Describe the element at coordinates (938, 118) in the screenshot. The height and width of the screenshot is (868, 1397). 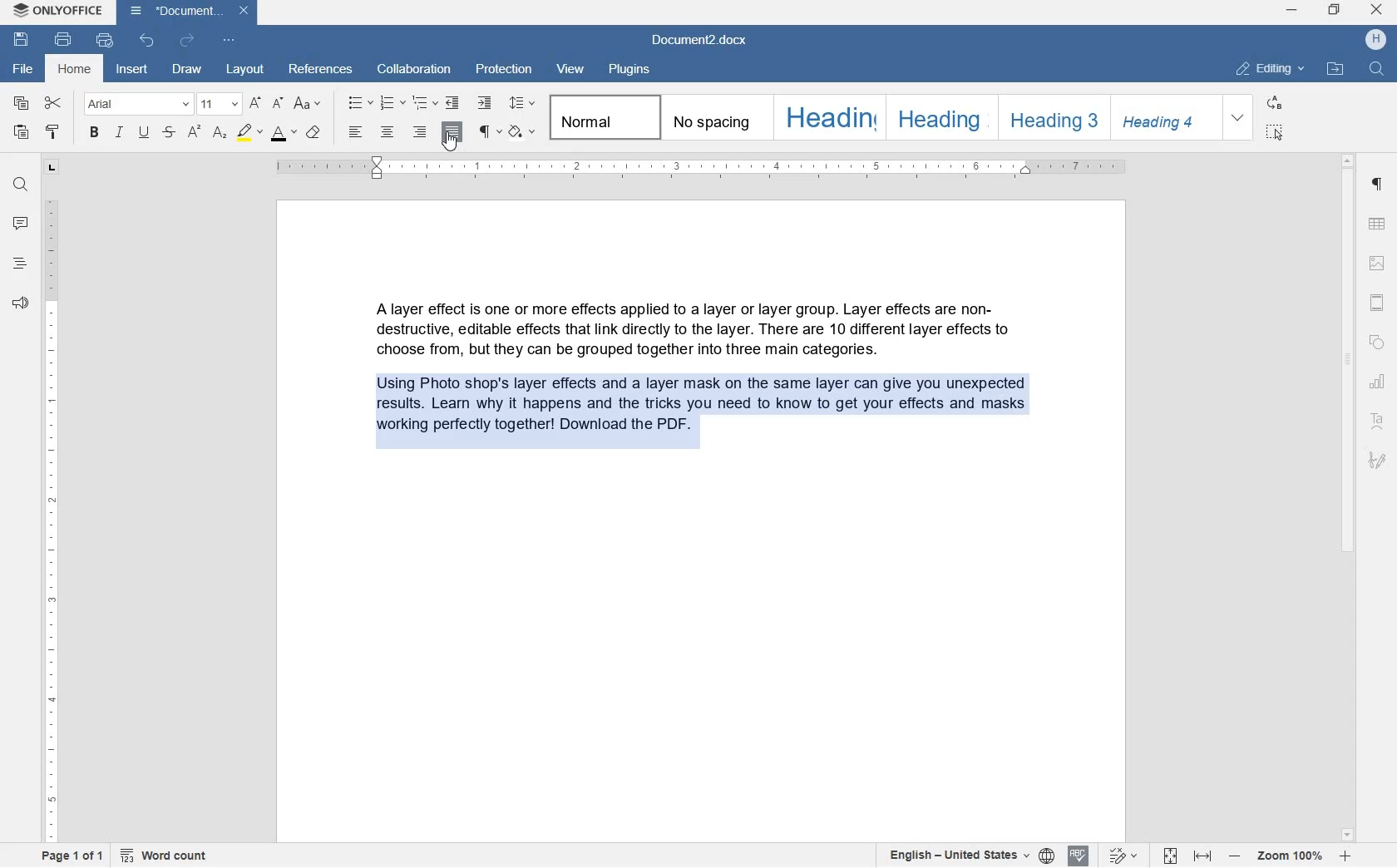
I see `HEADING ` at that location.